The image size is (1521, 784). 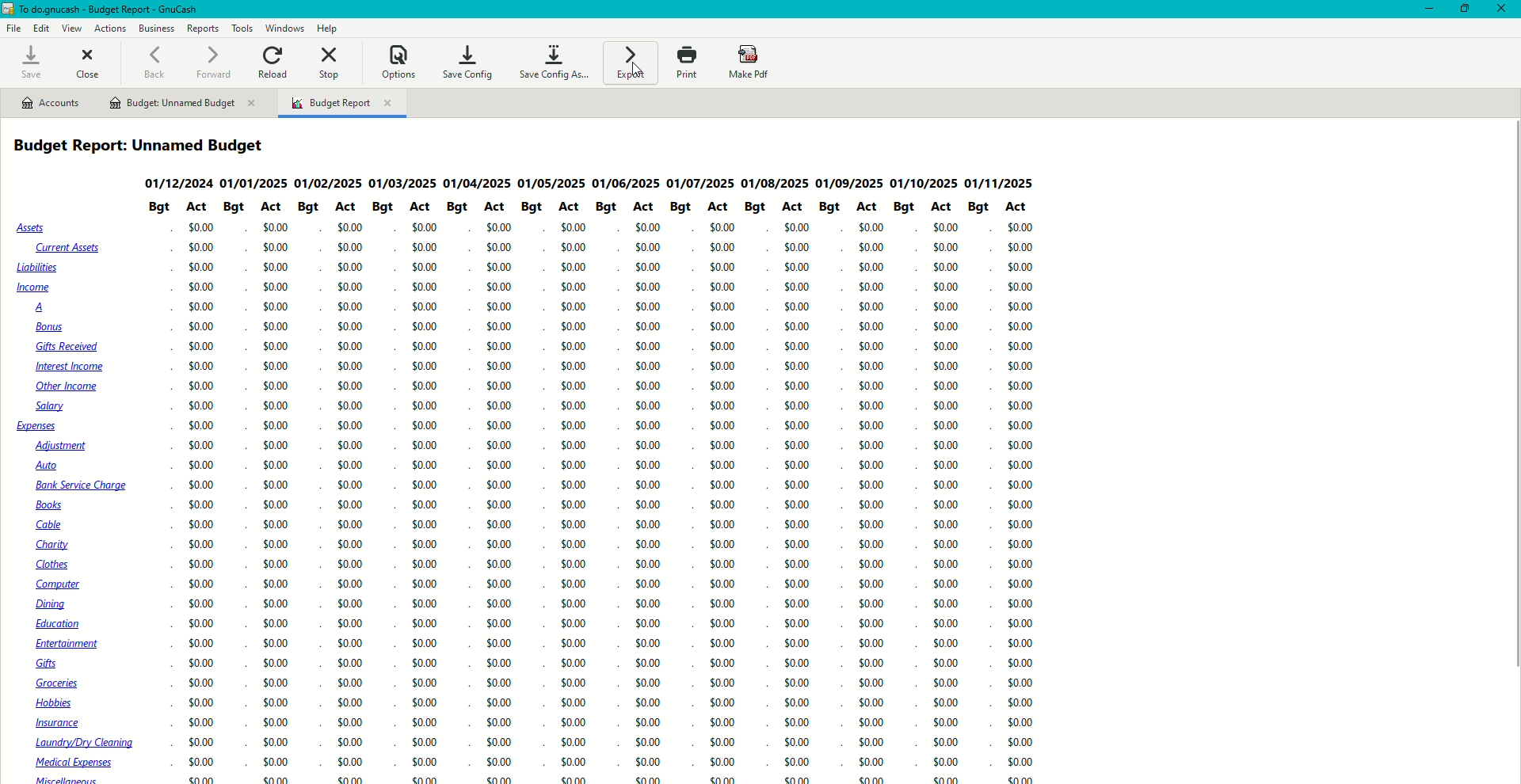 I want to click on $0.00, so click(x=574, y=247).